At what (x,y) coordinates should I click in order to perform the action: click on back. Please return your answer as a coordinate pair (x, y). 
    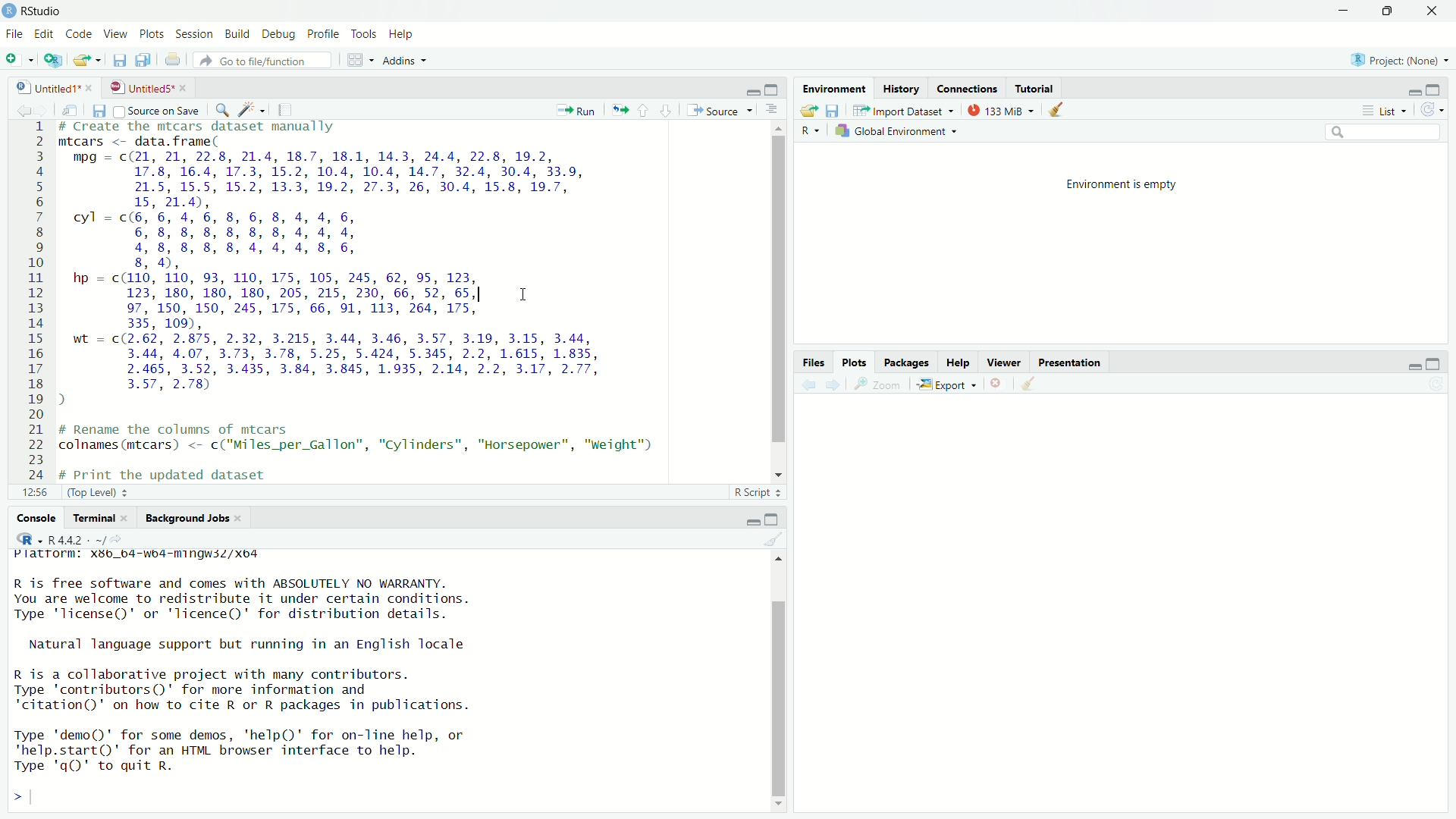
    Looking at the image, I should click on (17, 108).